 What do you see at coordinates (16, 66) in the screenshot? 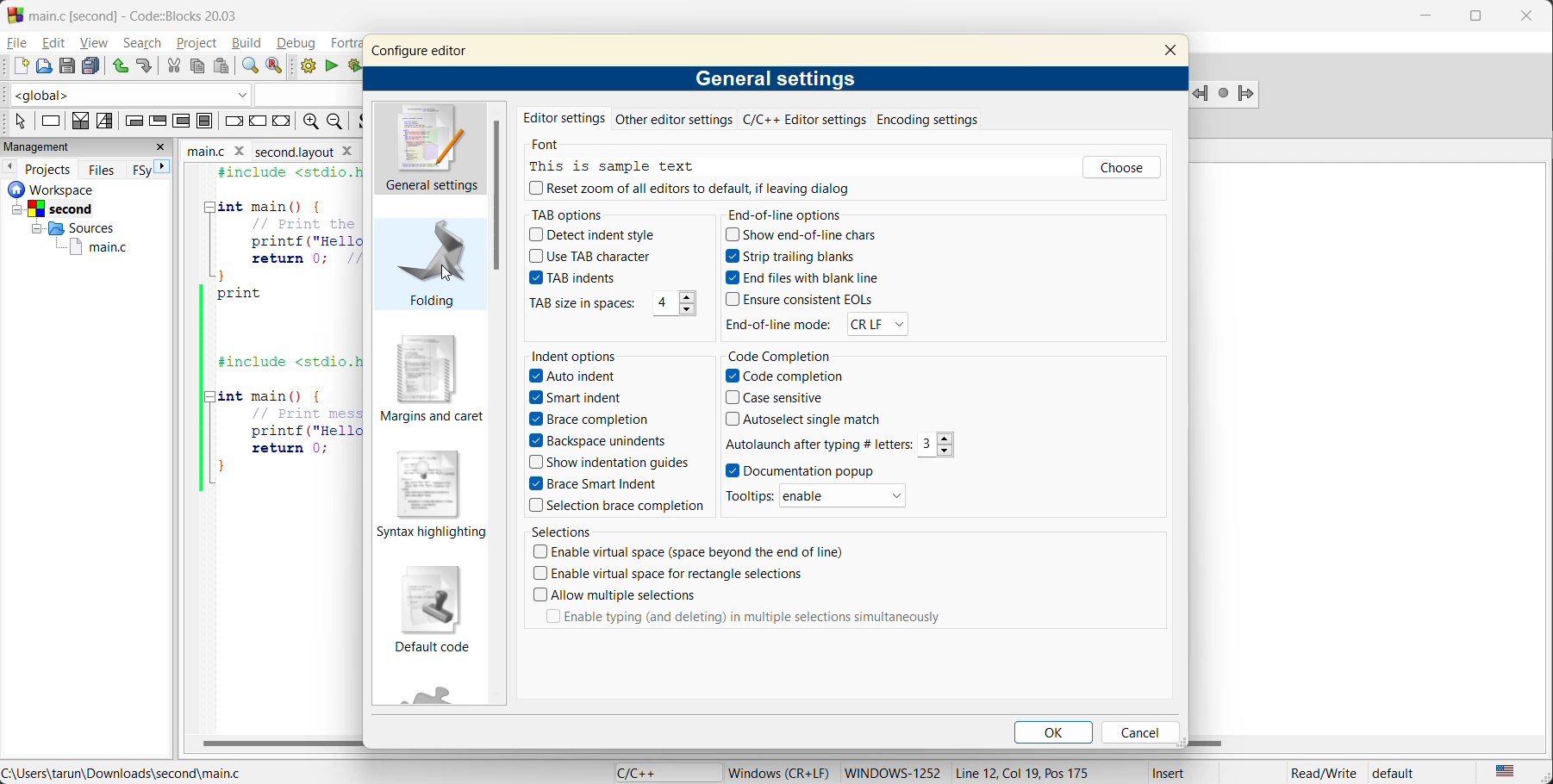
I see `new` at bounding box center [16, 66].